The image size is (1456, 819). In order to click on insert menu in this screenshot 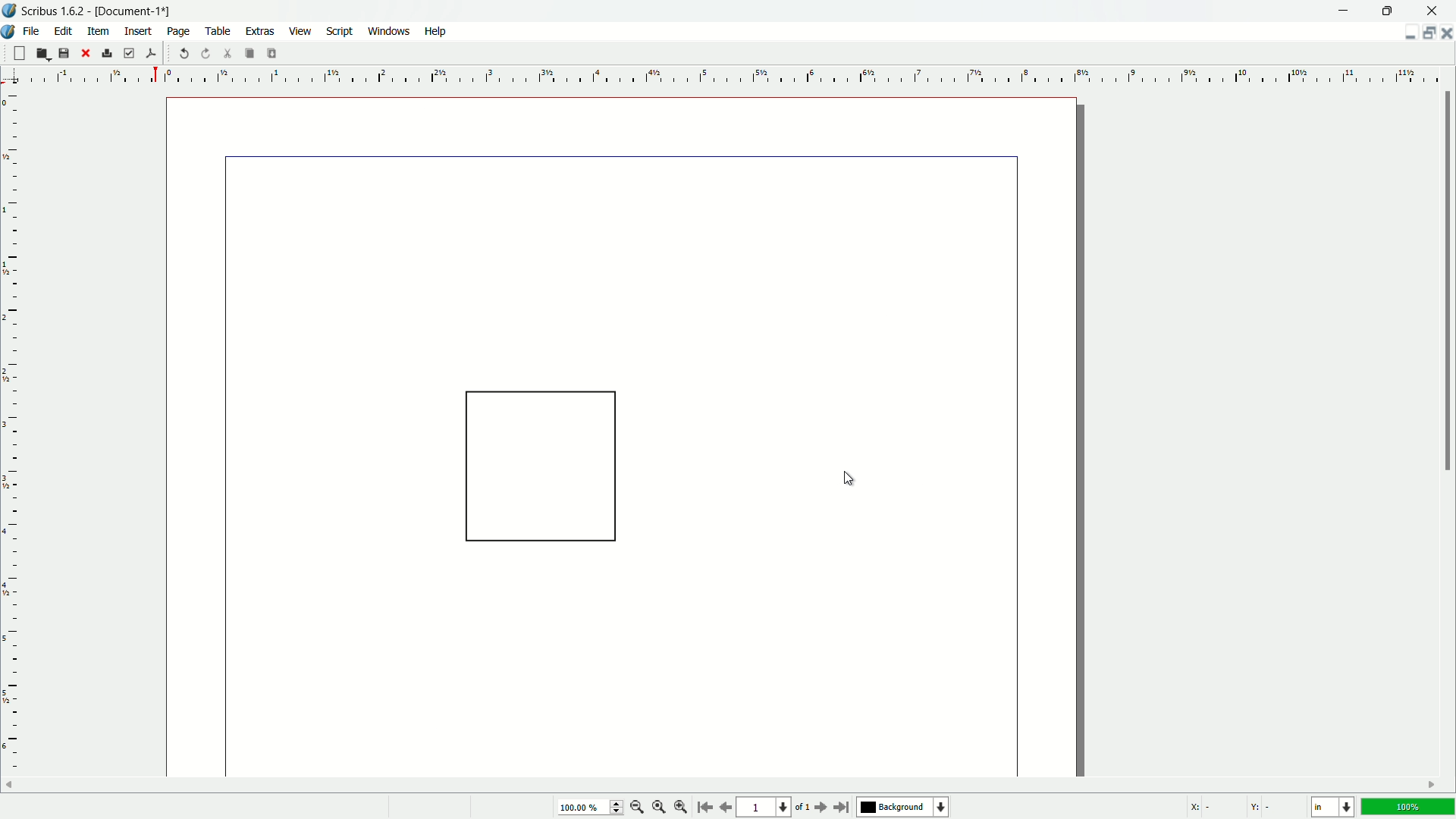, I will do `click(139, 32)`.